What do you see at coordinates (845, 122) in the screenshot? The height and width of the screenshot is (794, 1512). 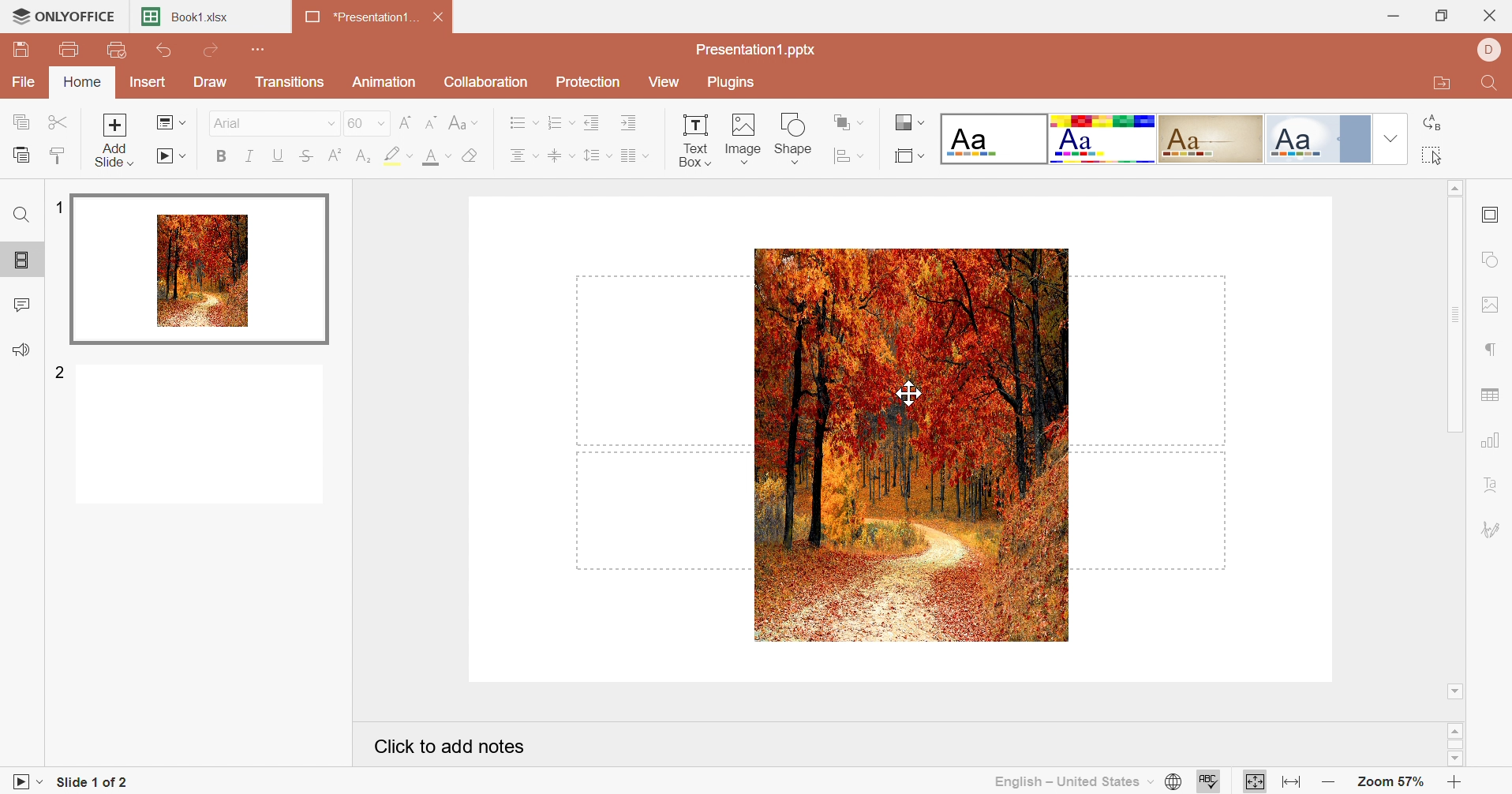 I see `Arrange shape` at bounding box center [845, 122].